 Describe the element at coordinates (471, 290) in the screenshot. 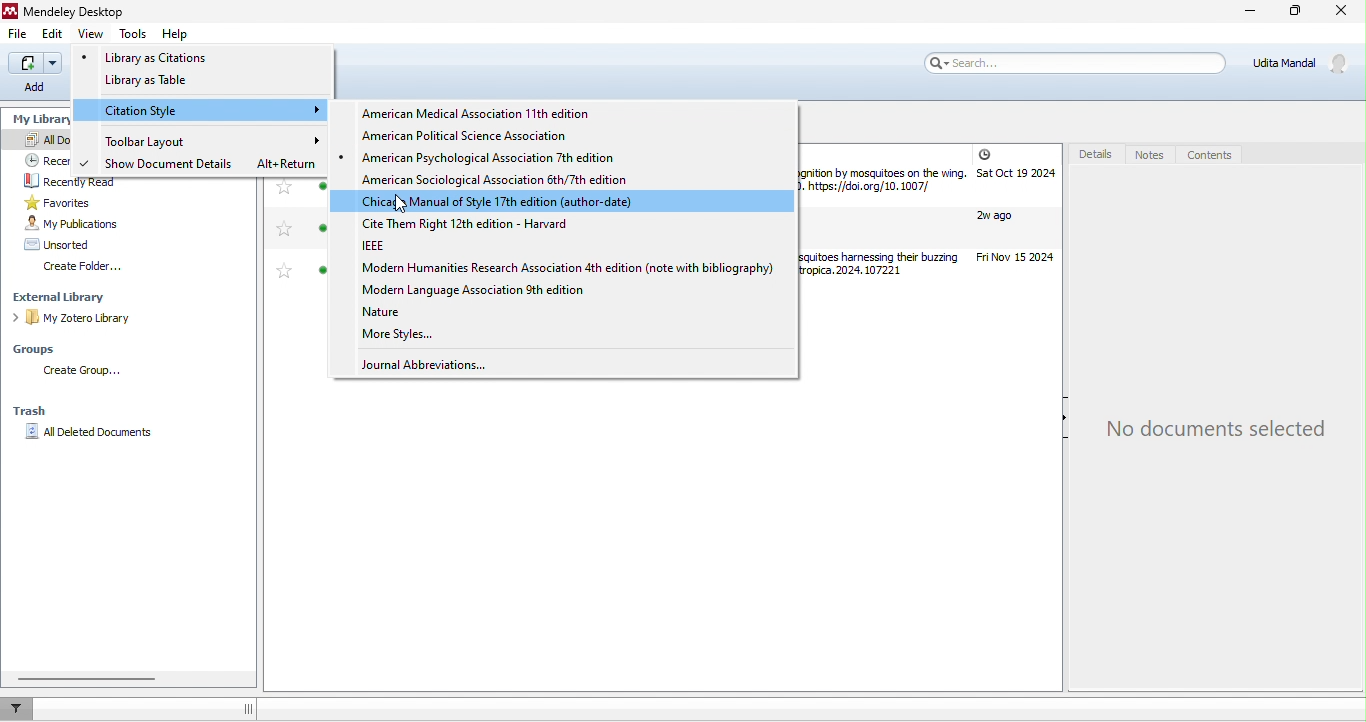

I see `modern language association 9th edition` at that location.